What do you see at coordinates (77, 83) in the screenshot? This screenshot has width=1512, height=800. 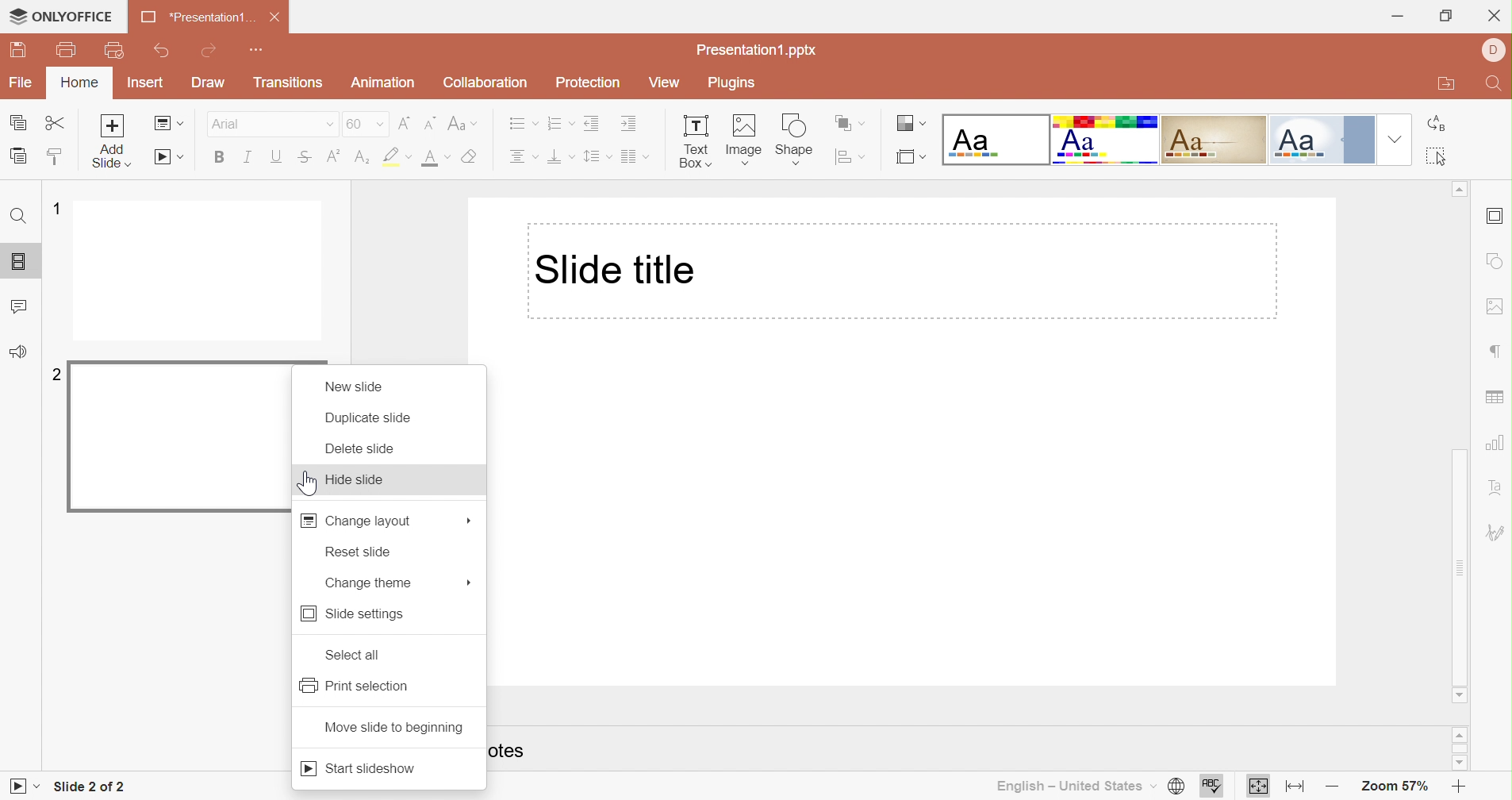 I see `Home` at bounding box center [77, 83].